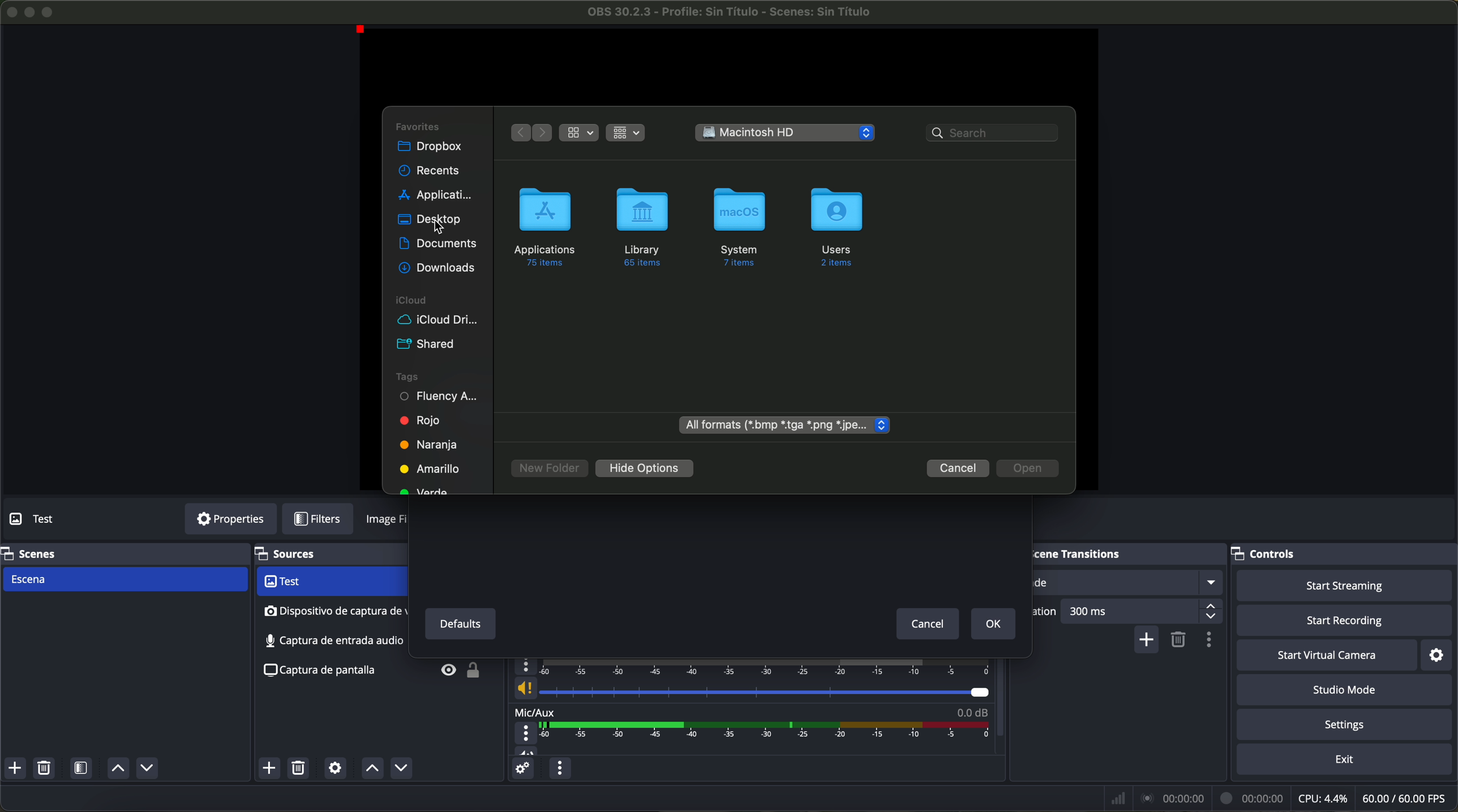  I want to click on minimize program, so click(30, 12).